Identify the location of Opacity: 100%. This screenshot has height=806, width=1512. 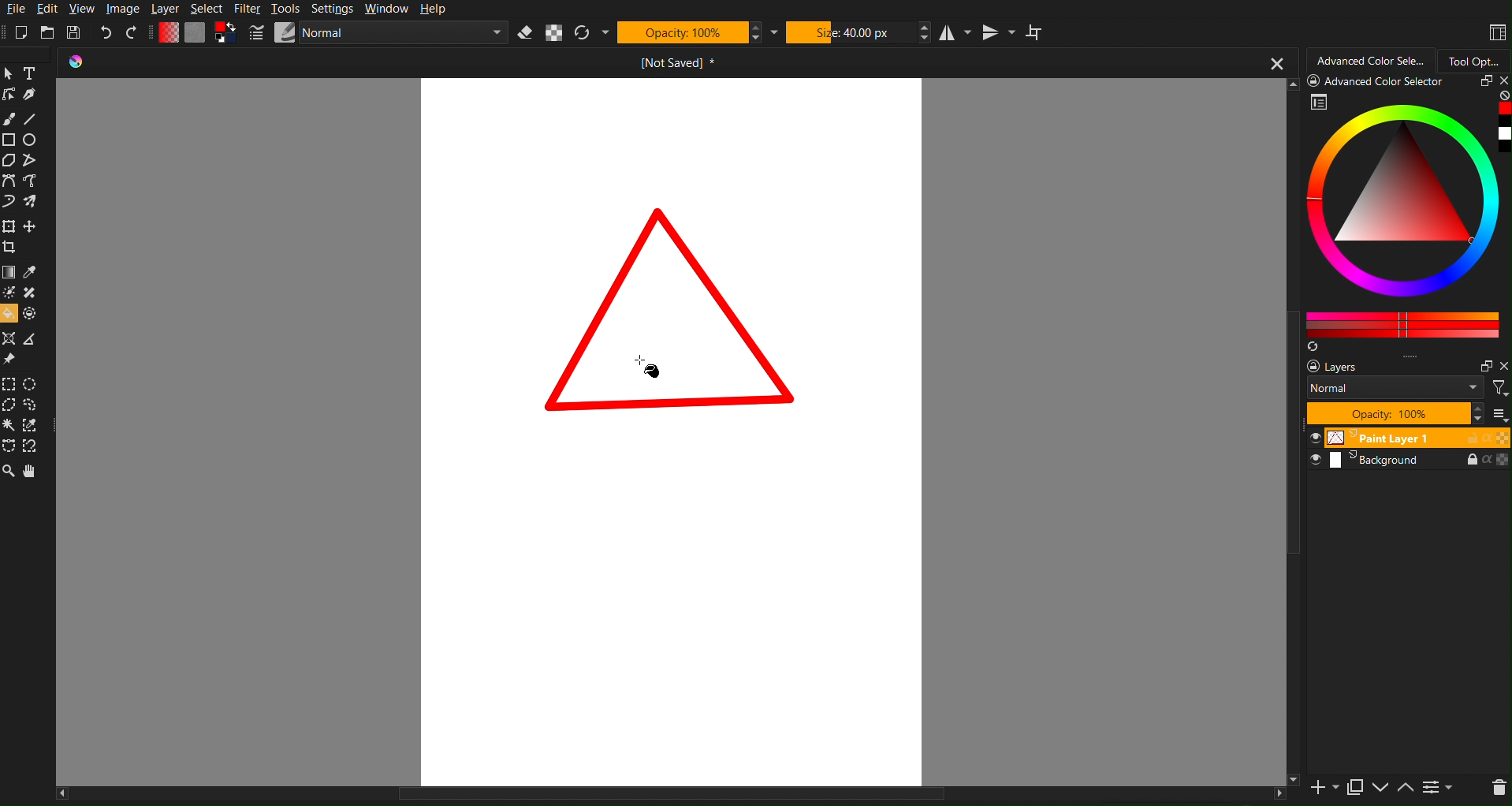
(682, 32).